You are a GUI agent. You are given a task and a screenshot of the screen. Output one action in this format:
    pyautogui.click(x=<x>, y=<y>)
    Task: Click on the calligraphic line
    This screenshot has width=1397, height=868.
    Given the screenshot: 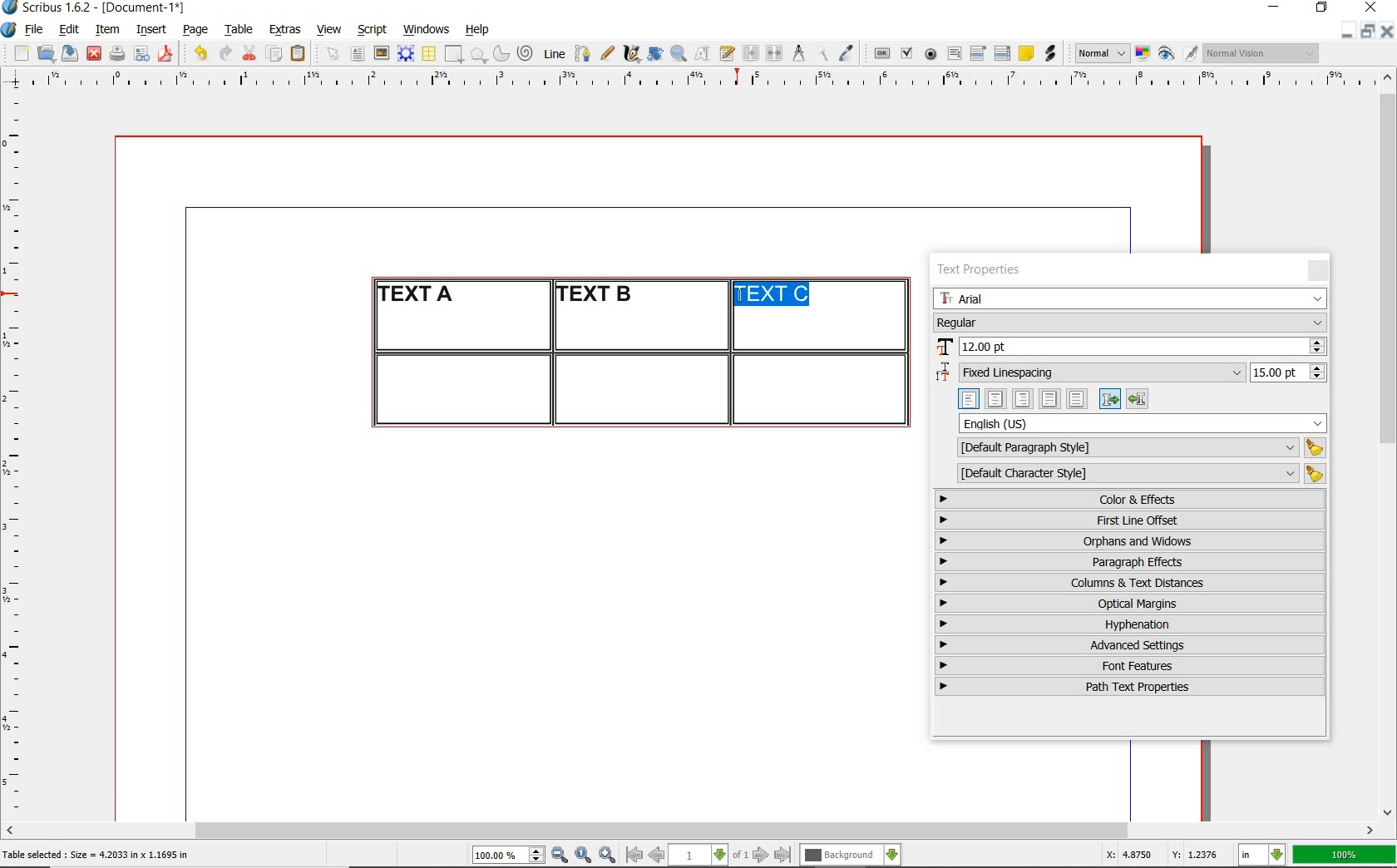 What is the action you would take?
    pyautogui.click(x=633, y=53)
    